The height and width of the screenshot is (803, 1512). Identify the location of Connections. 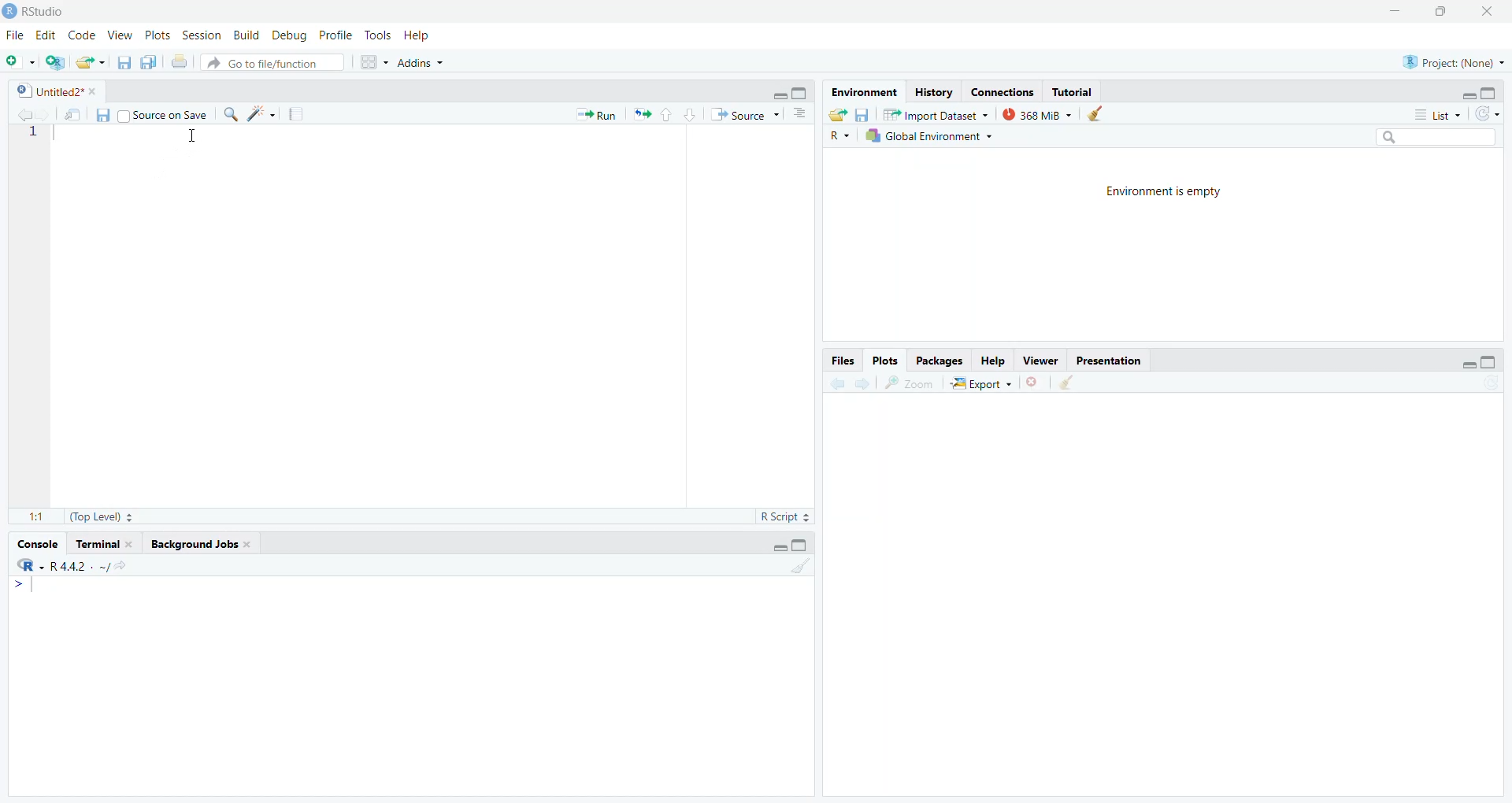
(1006, 91).